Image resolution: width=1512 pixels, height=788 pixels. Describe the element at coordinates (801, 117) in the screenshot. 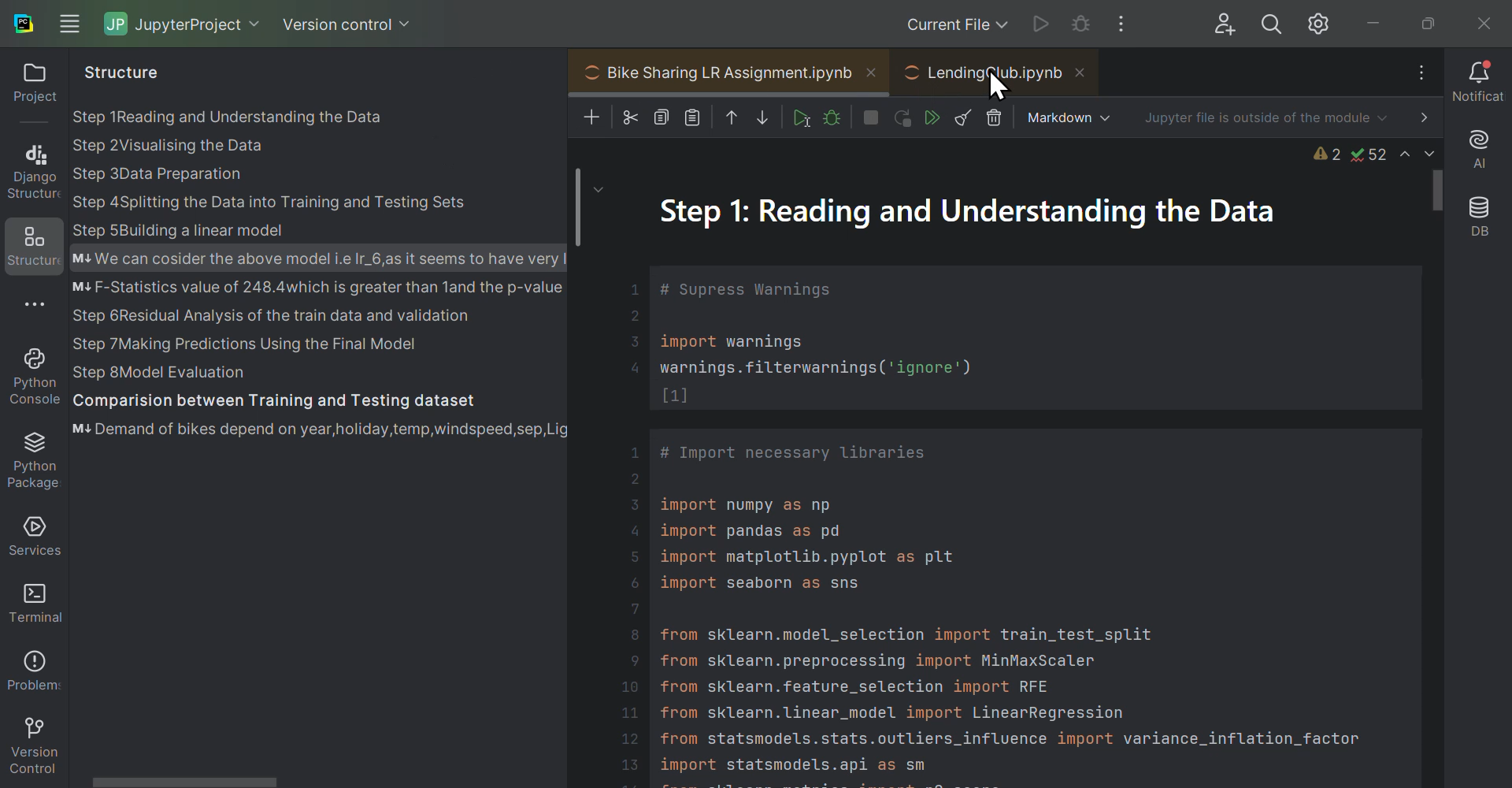

I see `Run cell` at that location.